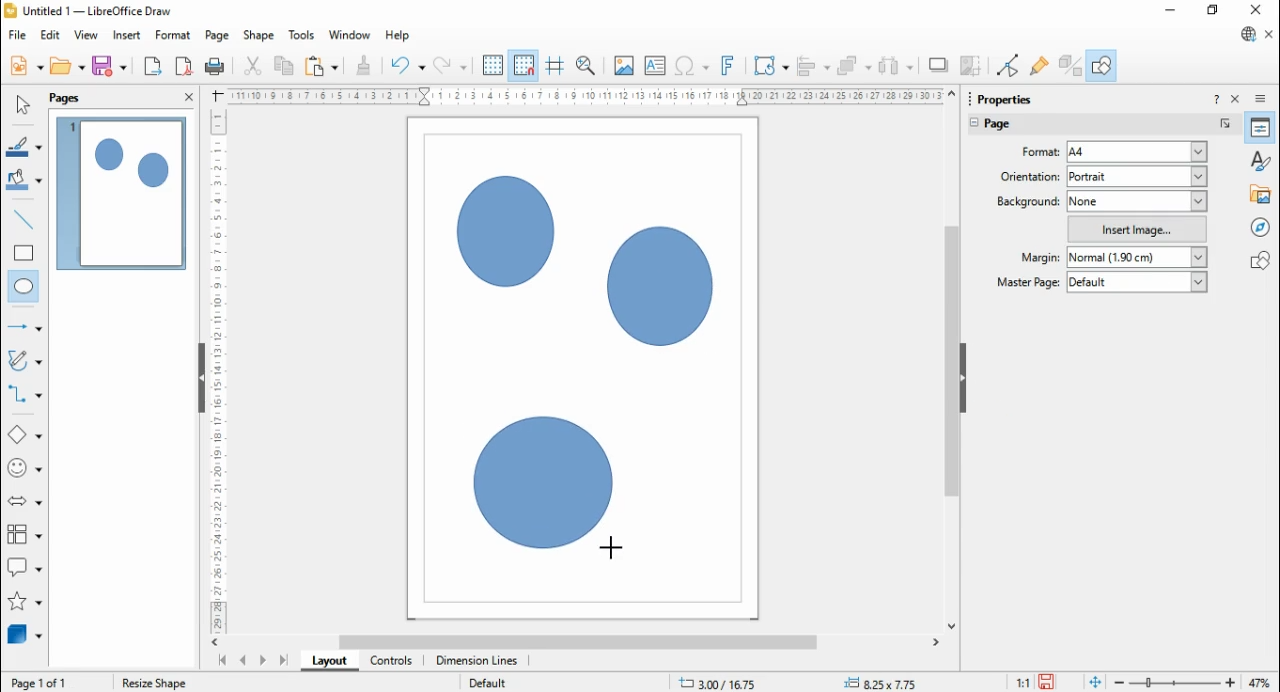 Image resolution: width=1280 pixels, height=692 pixels. I want to click on Circle shape, so click(504, 233).